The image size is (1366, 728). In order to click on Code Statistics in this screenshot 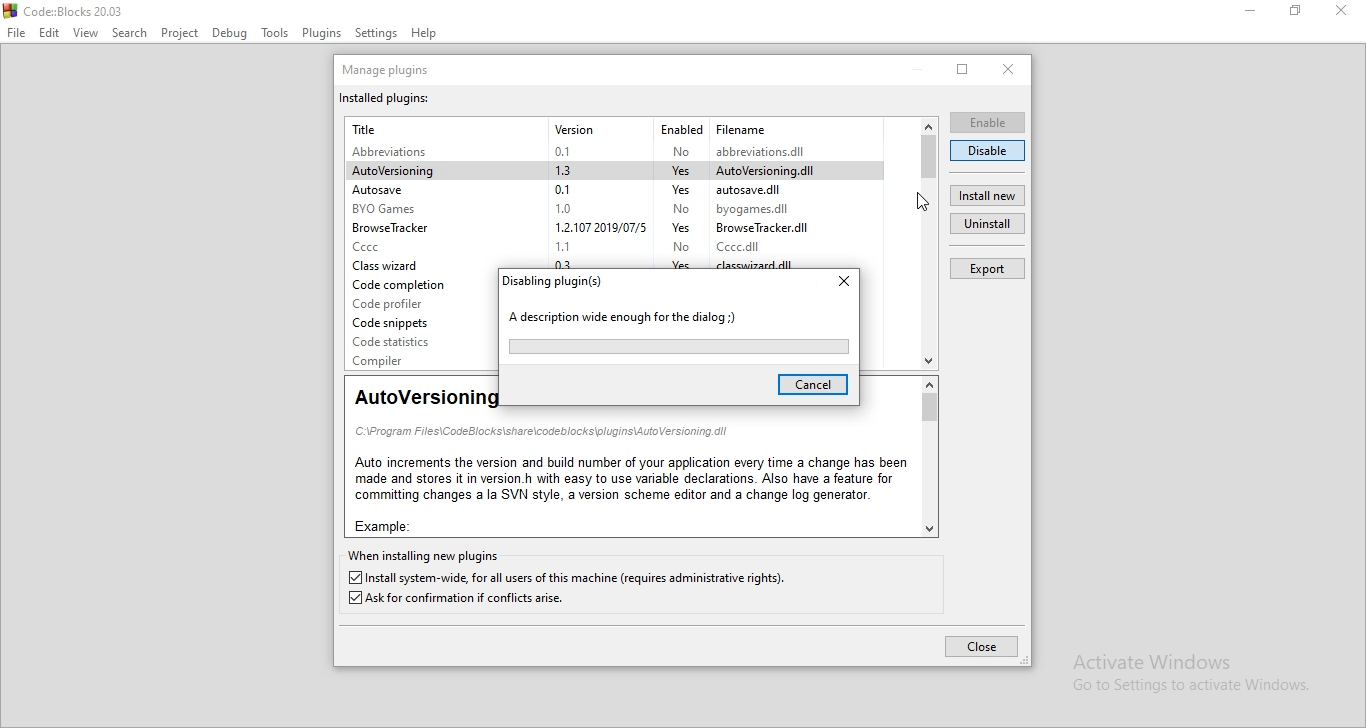, I will do `click(402, 342)`.